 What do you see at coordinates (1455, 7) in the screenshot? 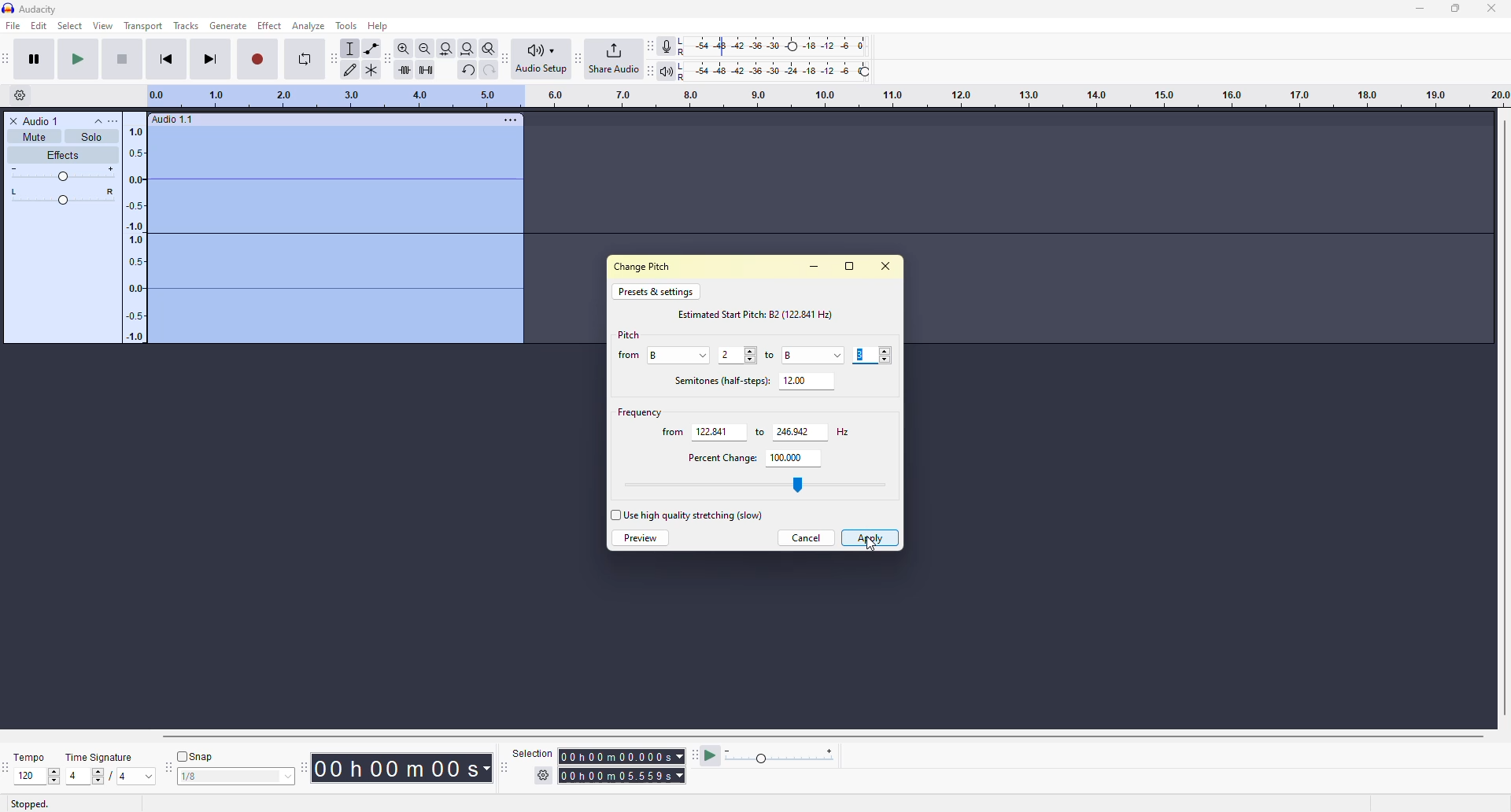
I see `maximize` at bounding box center [1455, 7].